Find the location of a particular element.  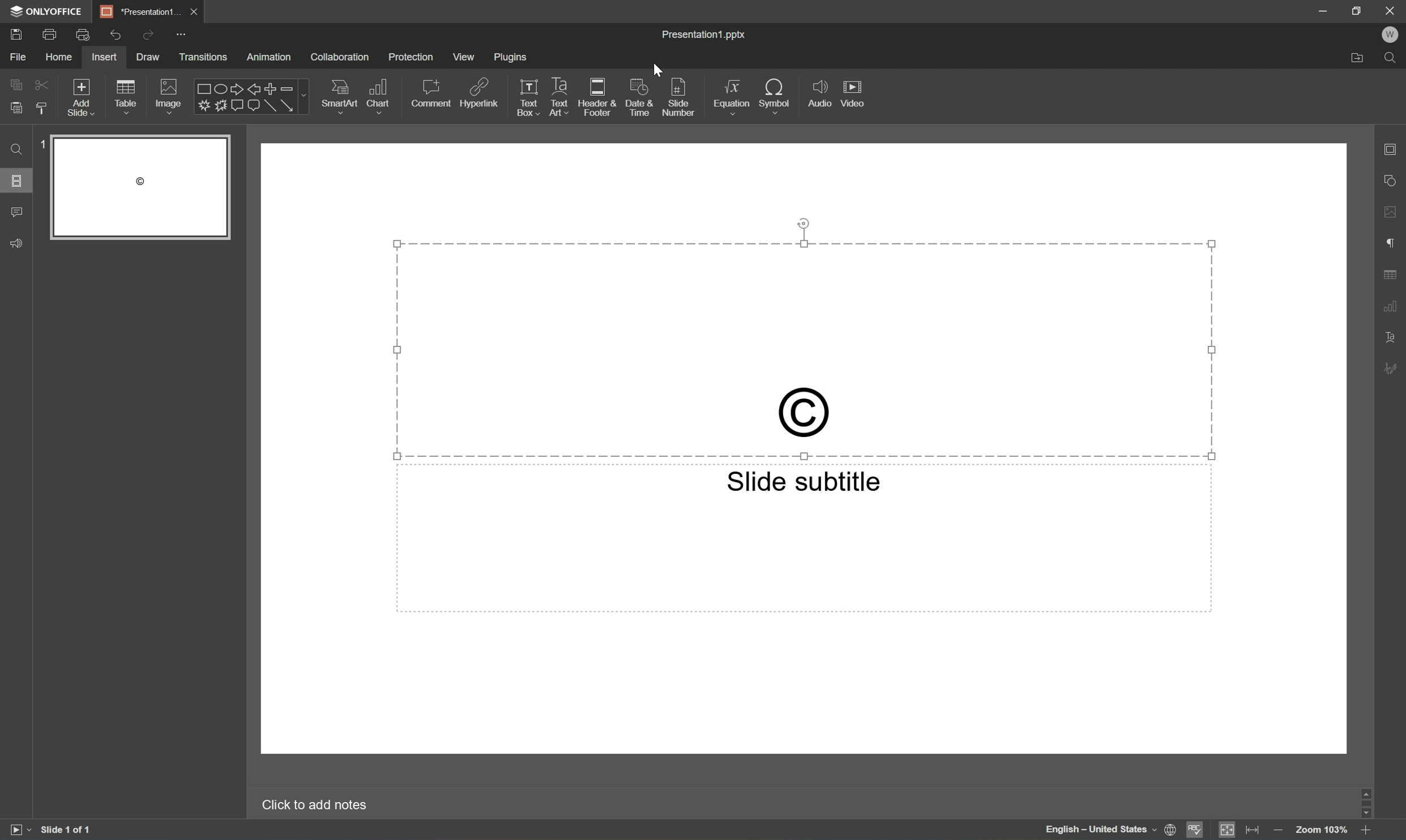

Close is located at coordinates (1390, 10).